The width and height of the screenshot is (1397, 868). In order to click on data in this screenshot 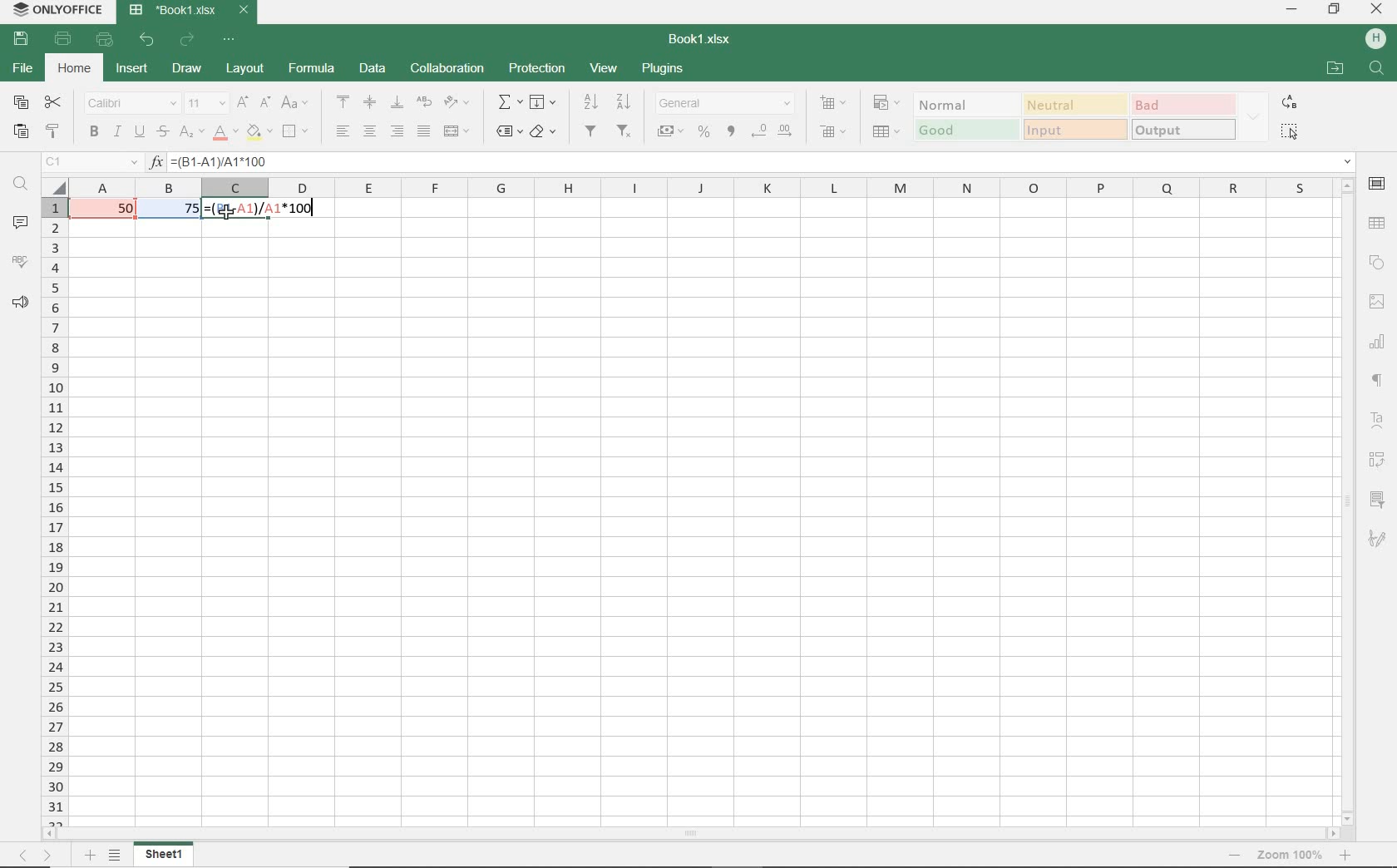, I will do `click(373, 68)`.